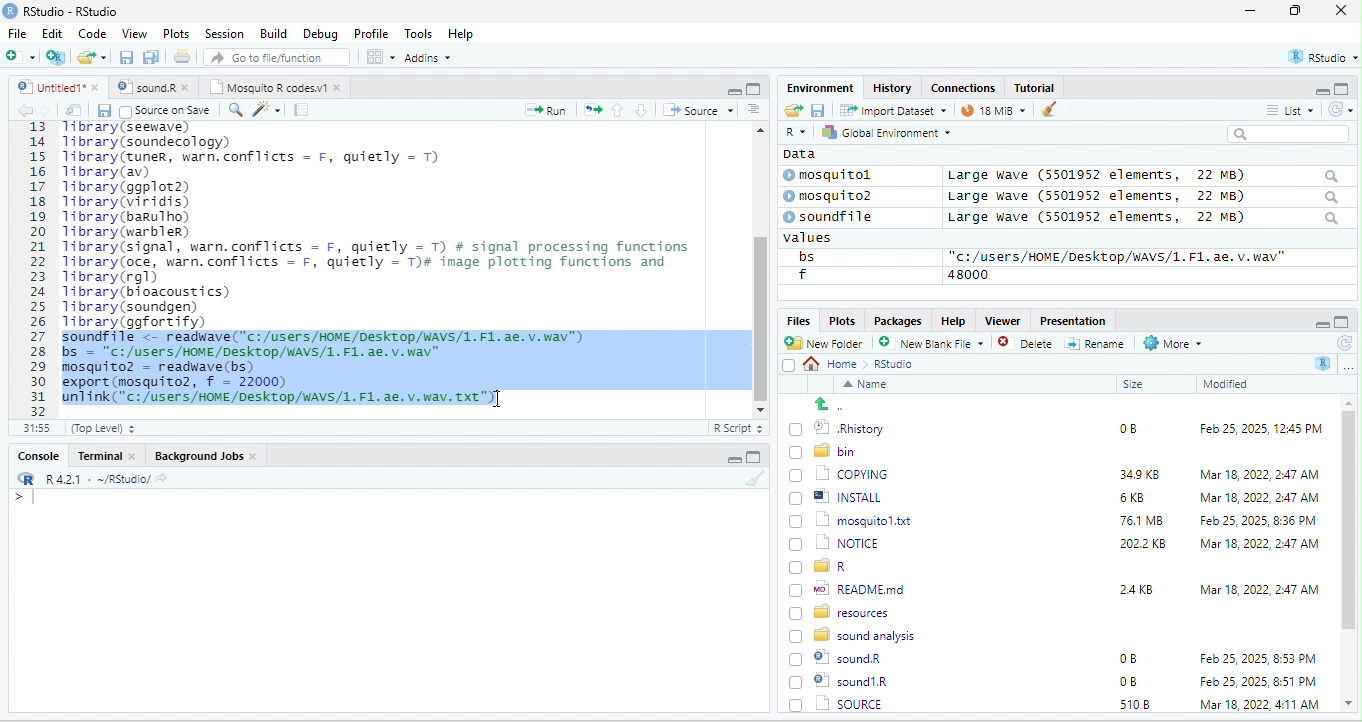 The width and height of the screenshot is (1362, 722). I want to click on minimize, so click(1250, 12).